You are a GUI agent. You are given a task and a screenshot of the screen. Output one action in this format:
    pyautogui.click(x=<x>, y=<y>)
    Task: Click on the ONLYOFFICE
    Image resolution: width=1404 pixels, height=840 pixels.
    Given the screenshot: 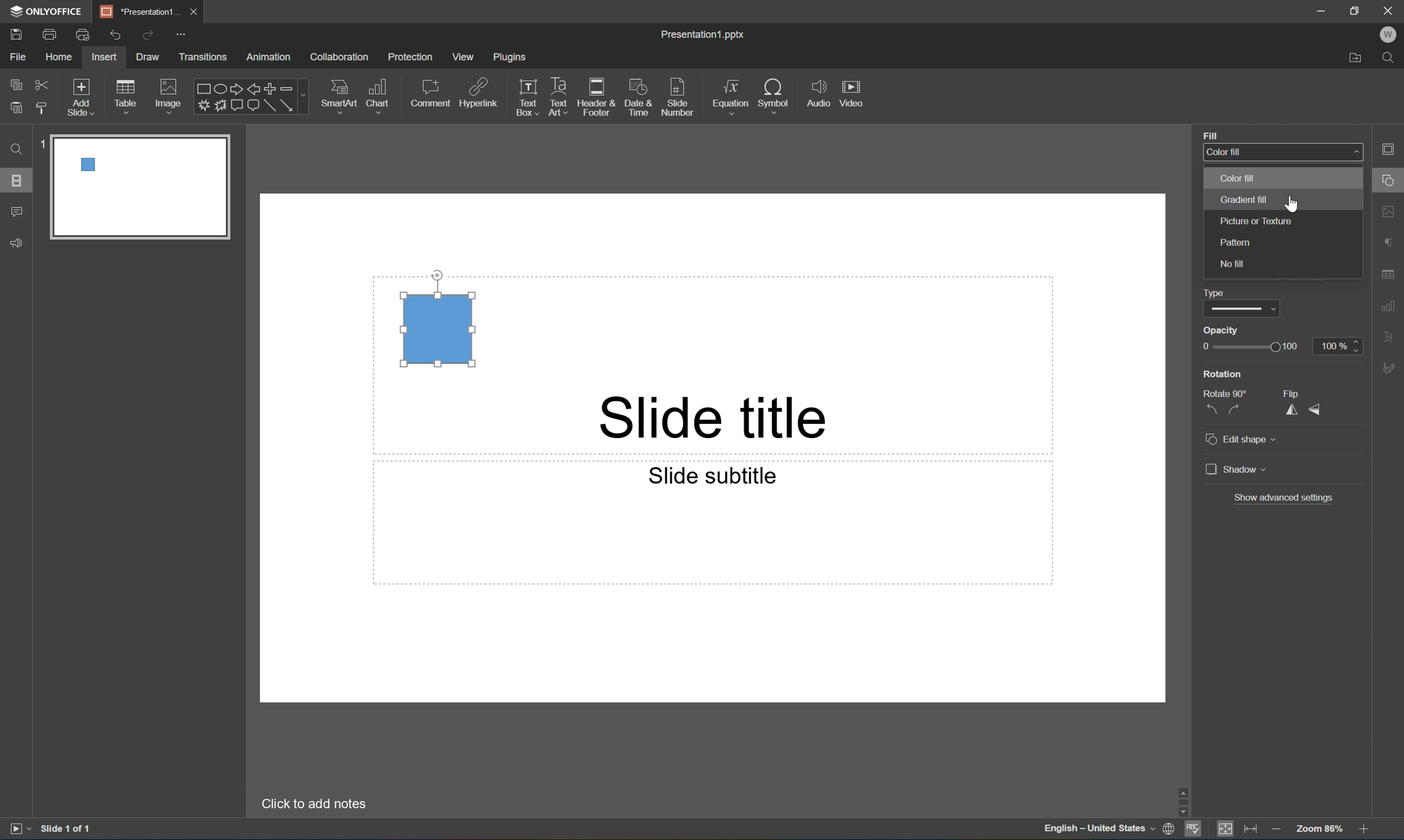 What is the action you would take?
    pyautogui.click(x=48, y=11)
    